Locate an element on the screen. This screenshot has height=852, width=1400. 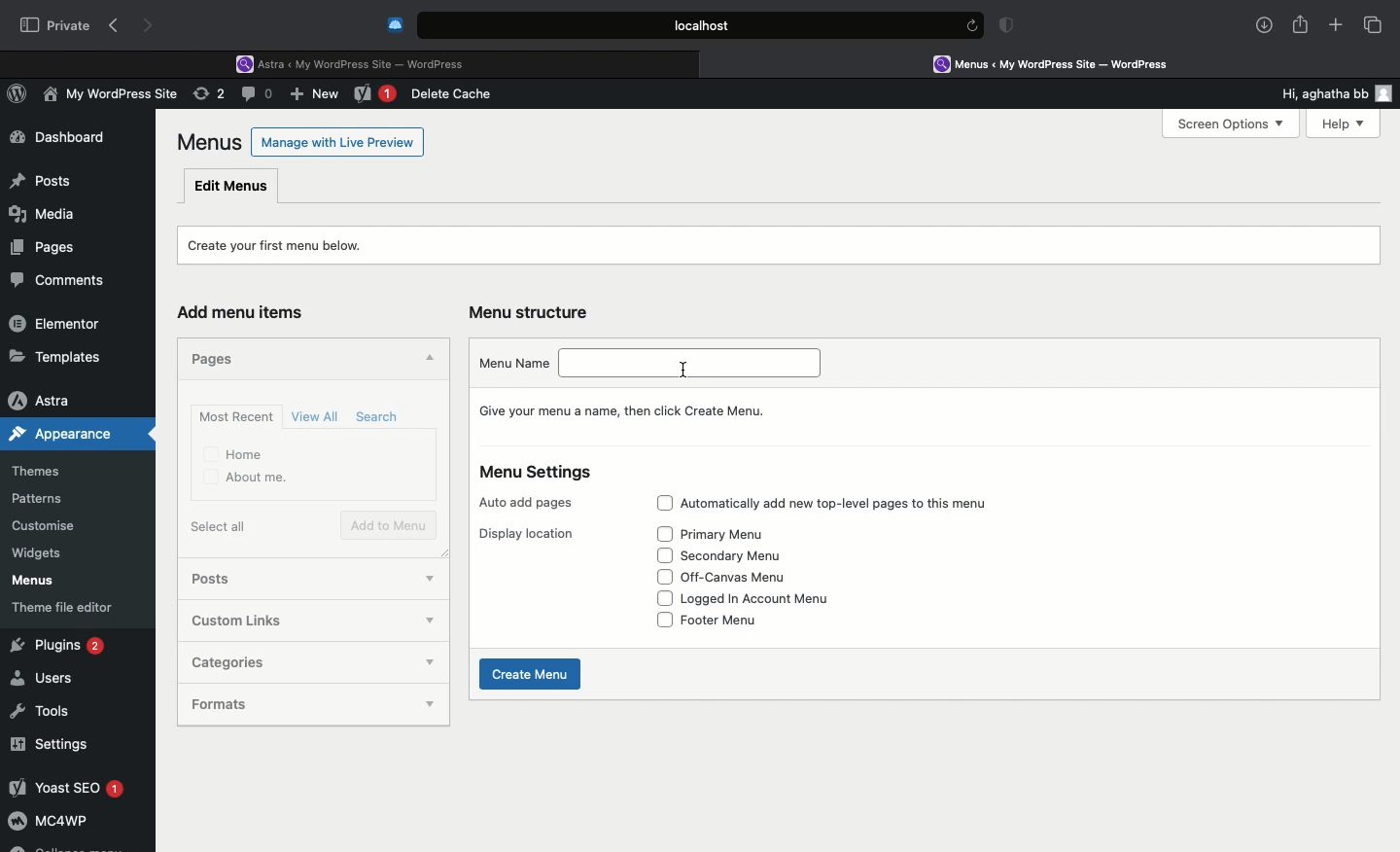
Appearance is located at coordinates (79, 434).